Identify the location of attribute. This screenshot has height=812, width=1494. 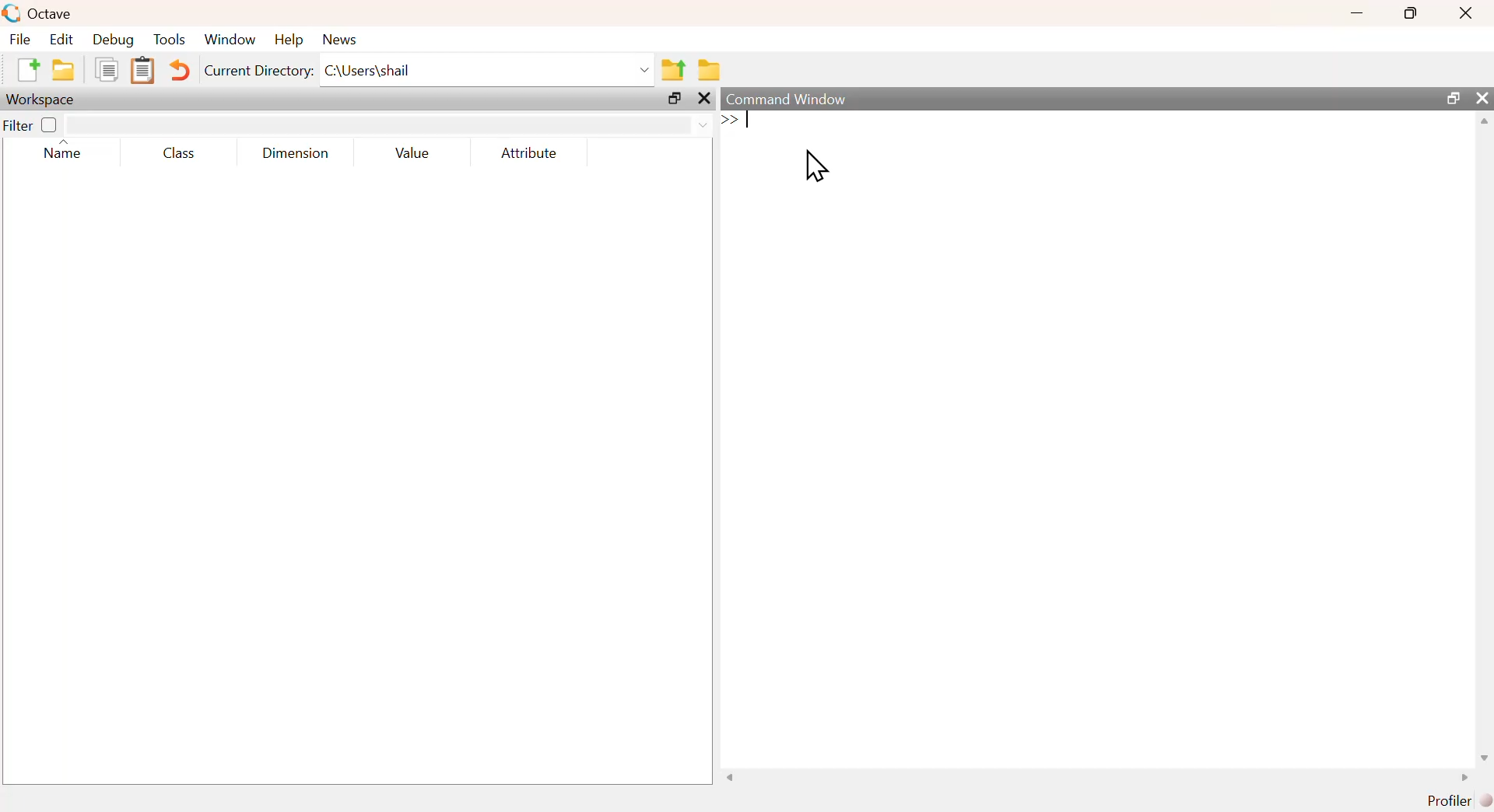
(528, 154).